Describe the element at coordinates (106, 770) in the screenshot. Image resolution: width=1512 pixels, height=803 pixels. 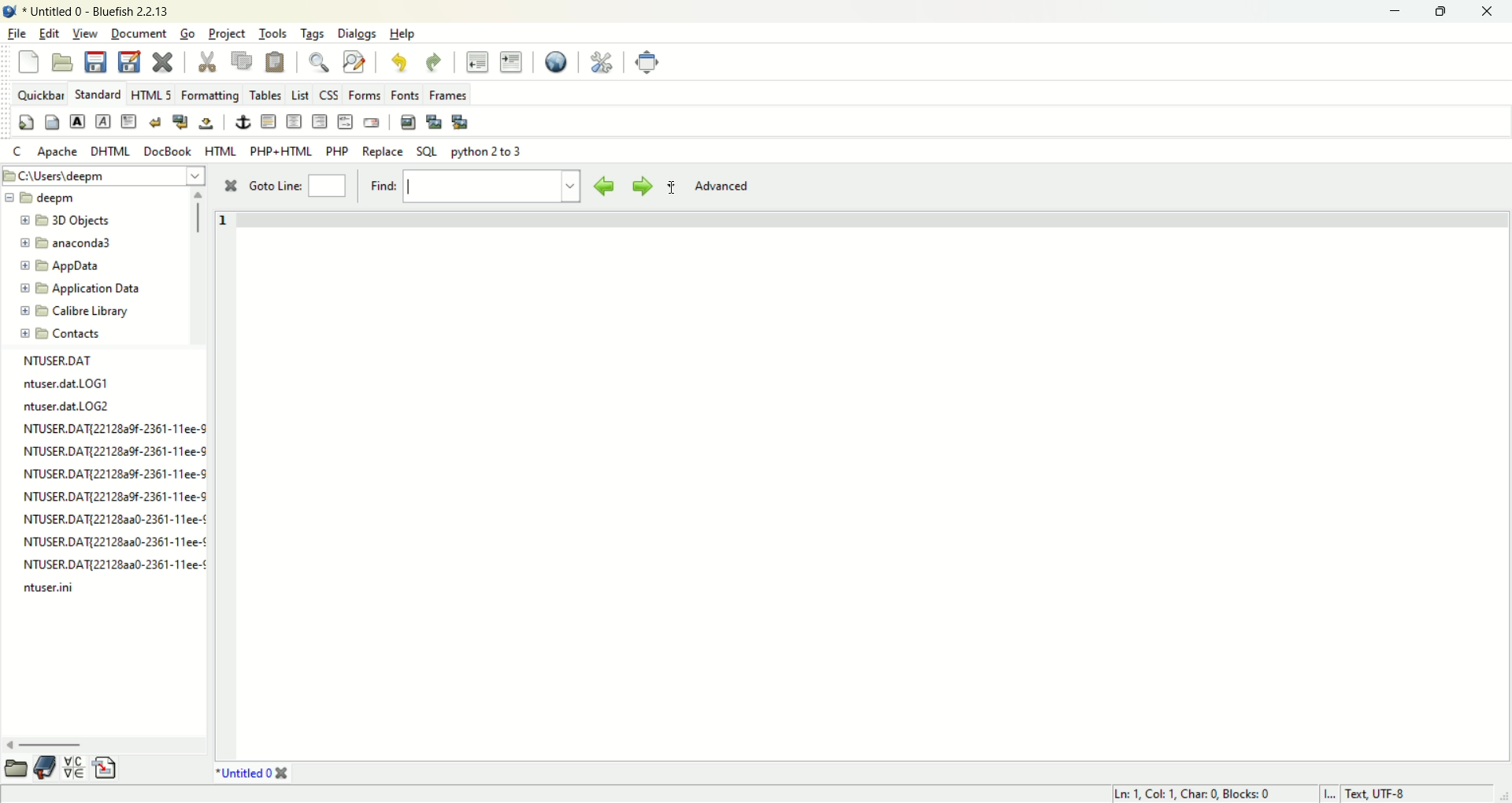
I see `snippet` at that location.